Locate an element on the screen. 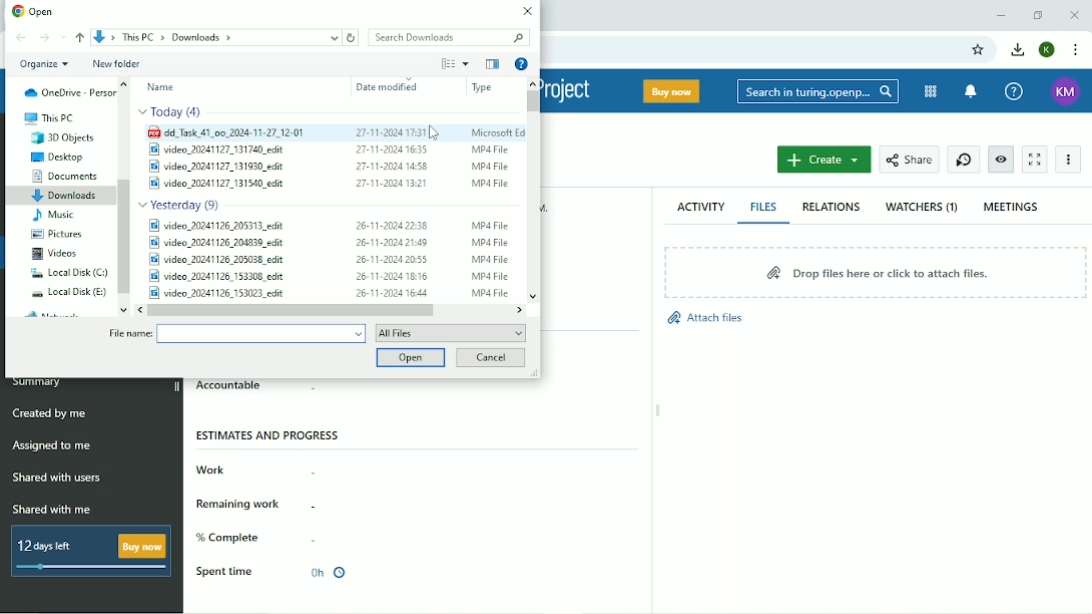 This screenshot has width=1092, height=614. video file is located at coordinates (326, 183).